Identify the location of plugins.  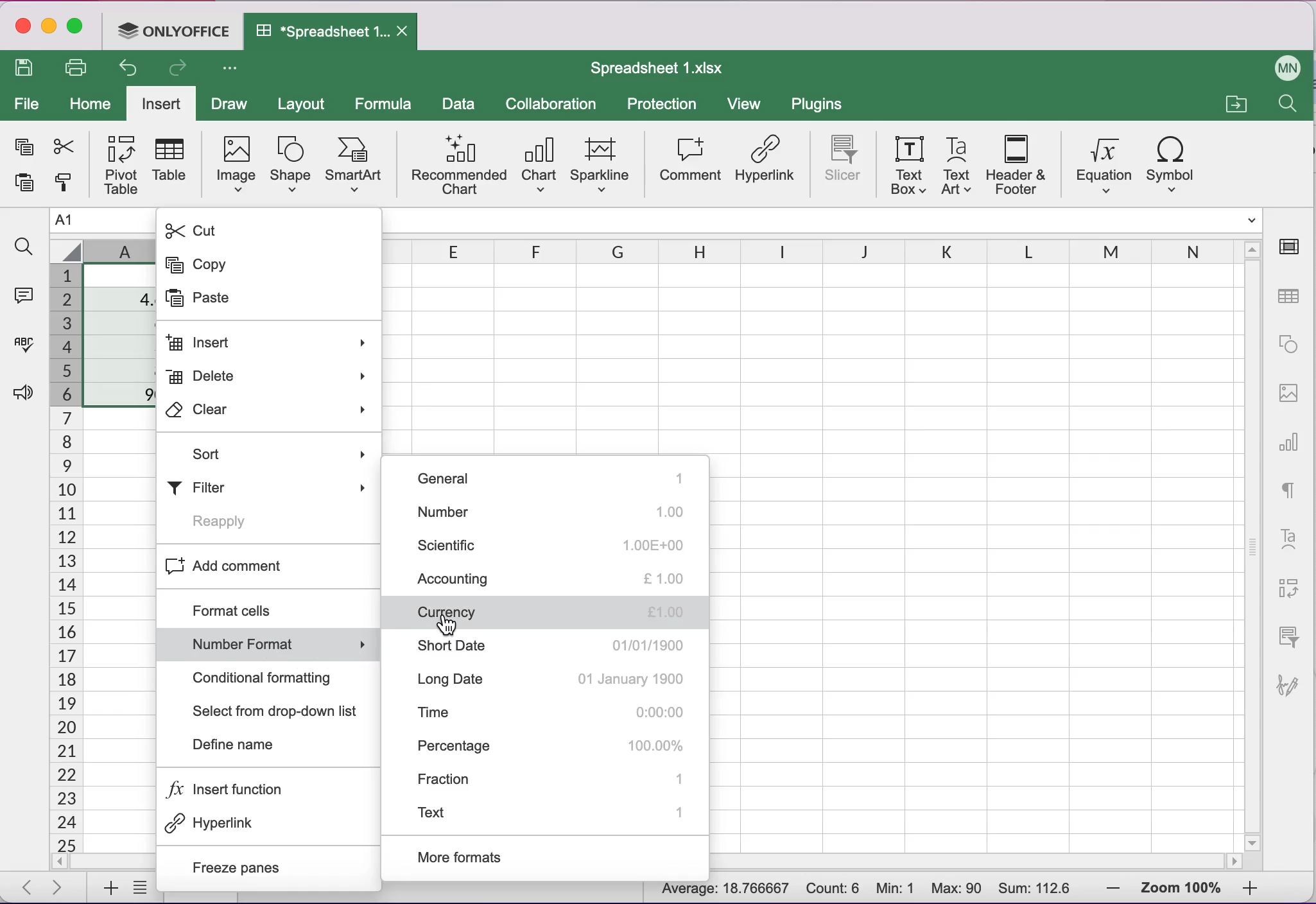
(818, 105).